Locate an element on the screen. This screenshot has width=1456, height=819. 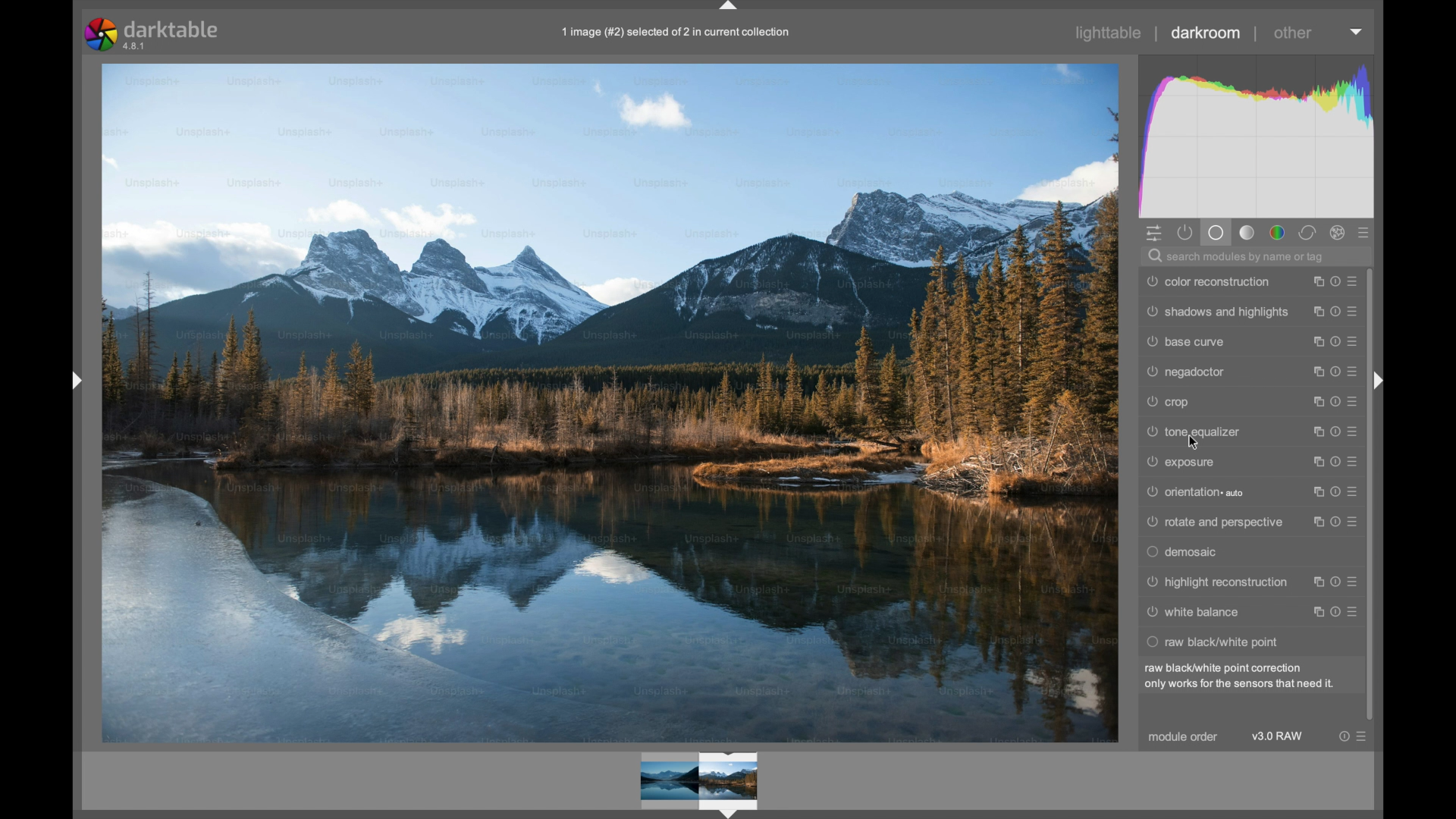
reset parameter is located at coordinates (1337, 611).